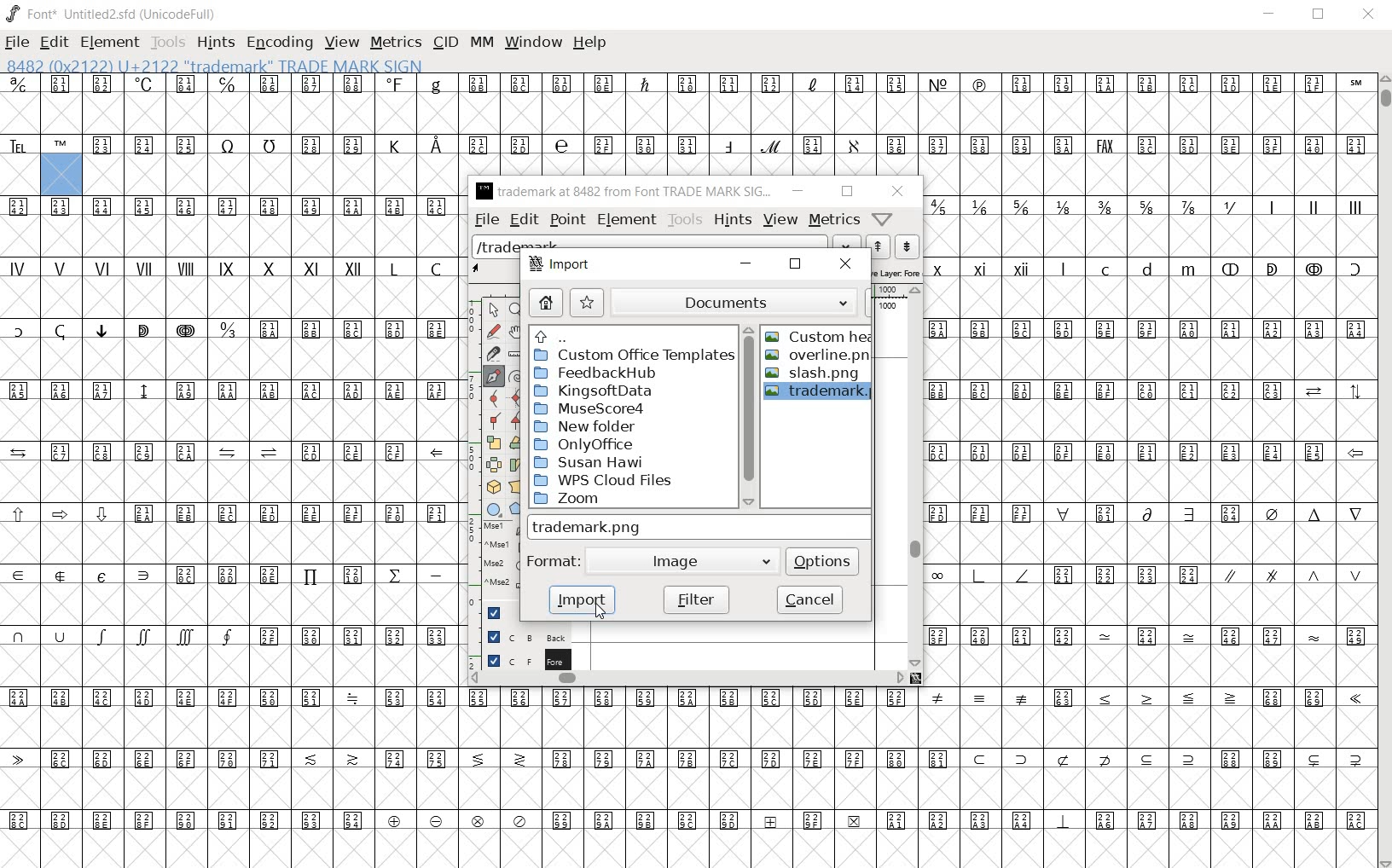 This screenshot has width=1392, height=868. Describe the element at coordinates (687, 849) in the screenshot. I see `slot` at that location.